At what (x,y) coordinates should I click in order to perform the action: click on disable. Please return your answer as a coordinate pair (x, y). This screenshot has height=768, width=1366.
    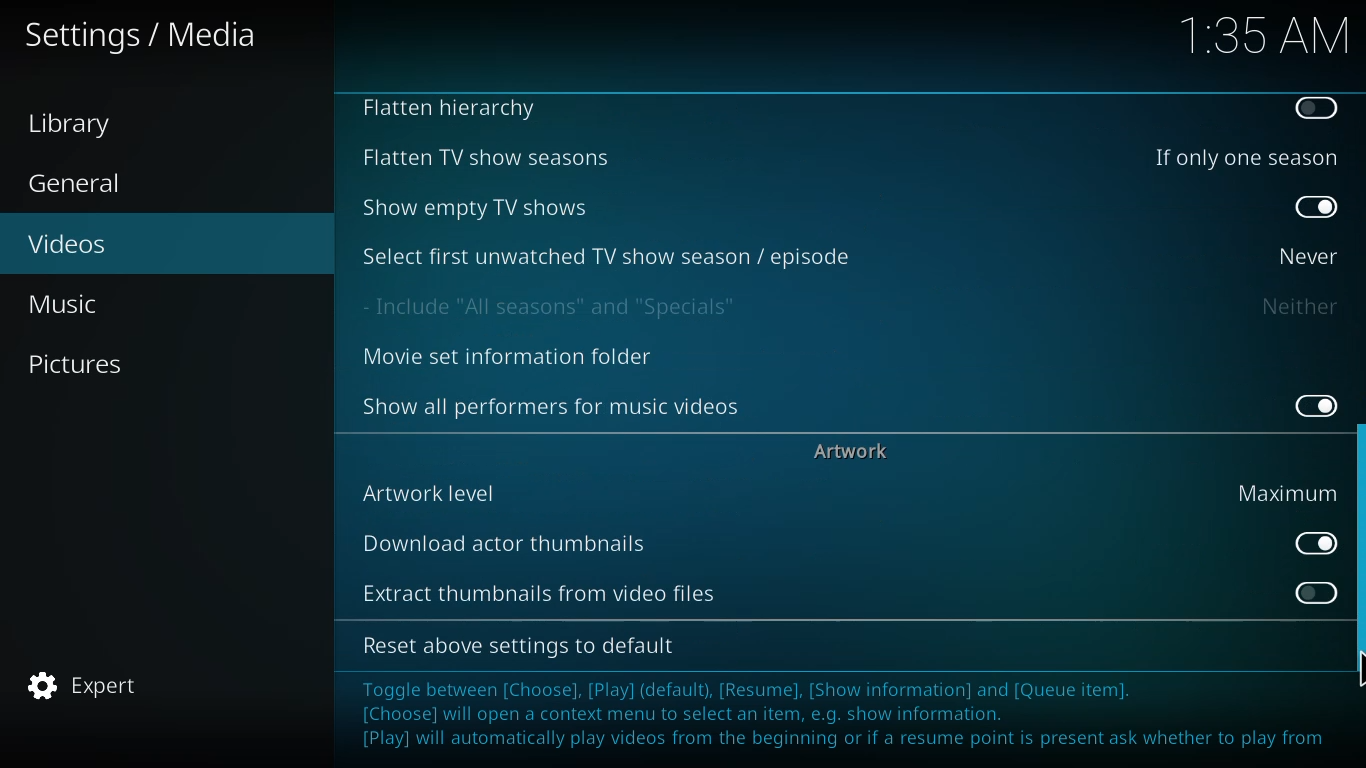
    Looking at the image, I should click on (1318, 108).